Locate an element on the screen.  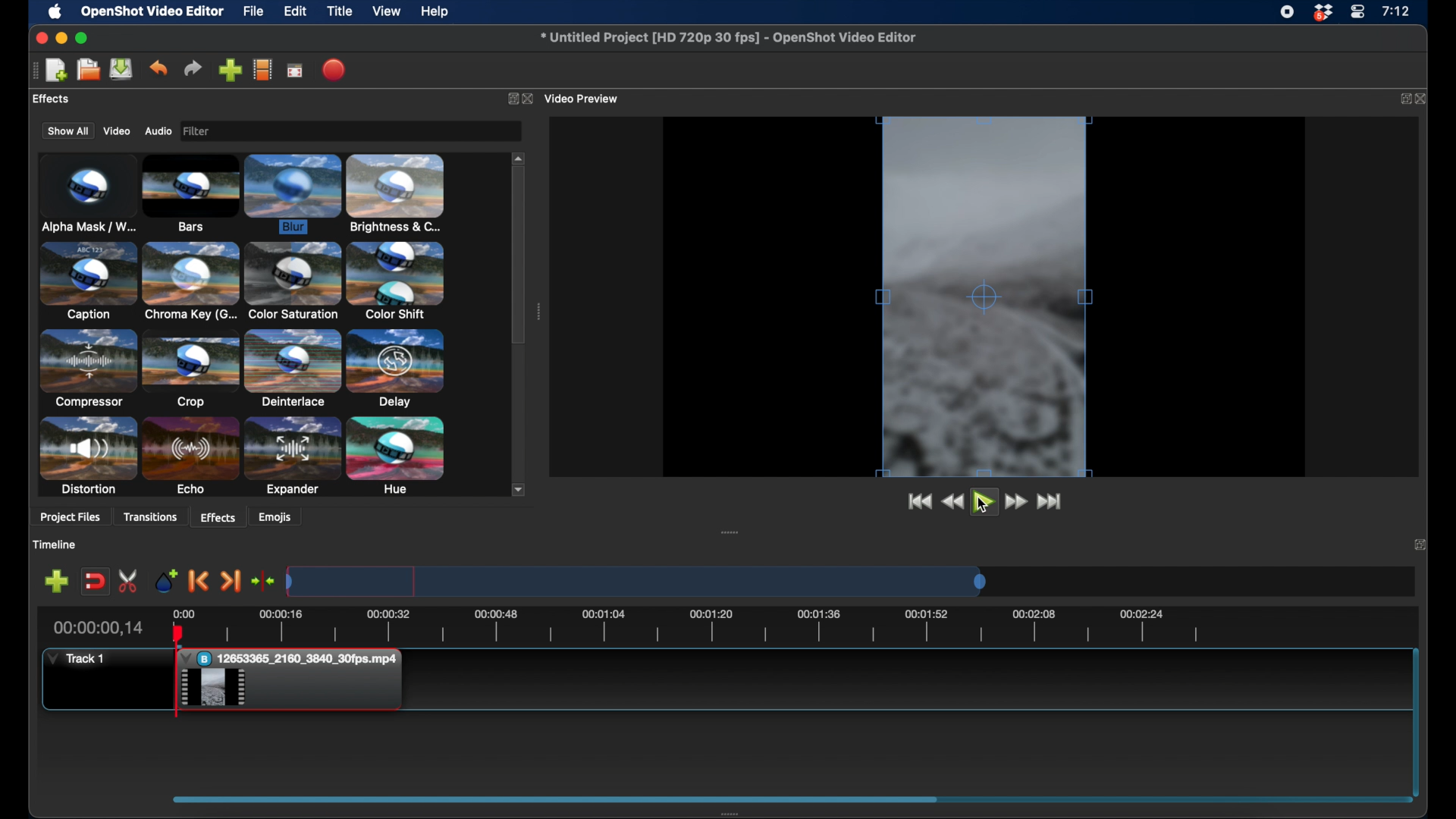
maximize is located at coordinates (83, 39).